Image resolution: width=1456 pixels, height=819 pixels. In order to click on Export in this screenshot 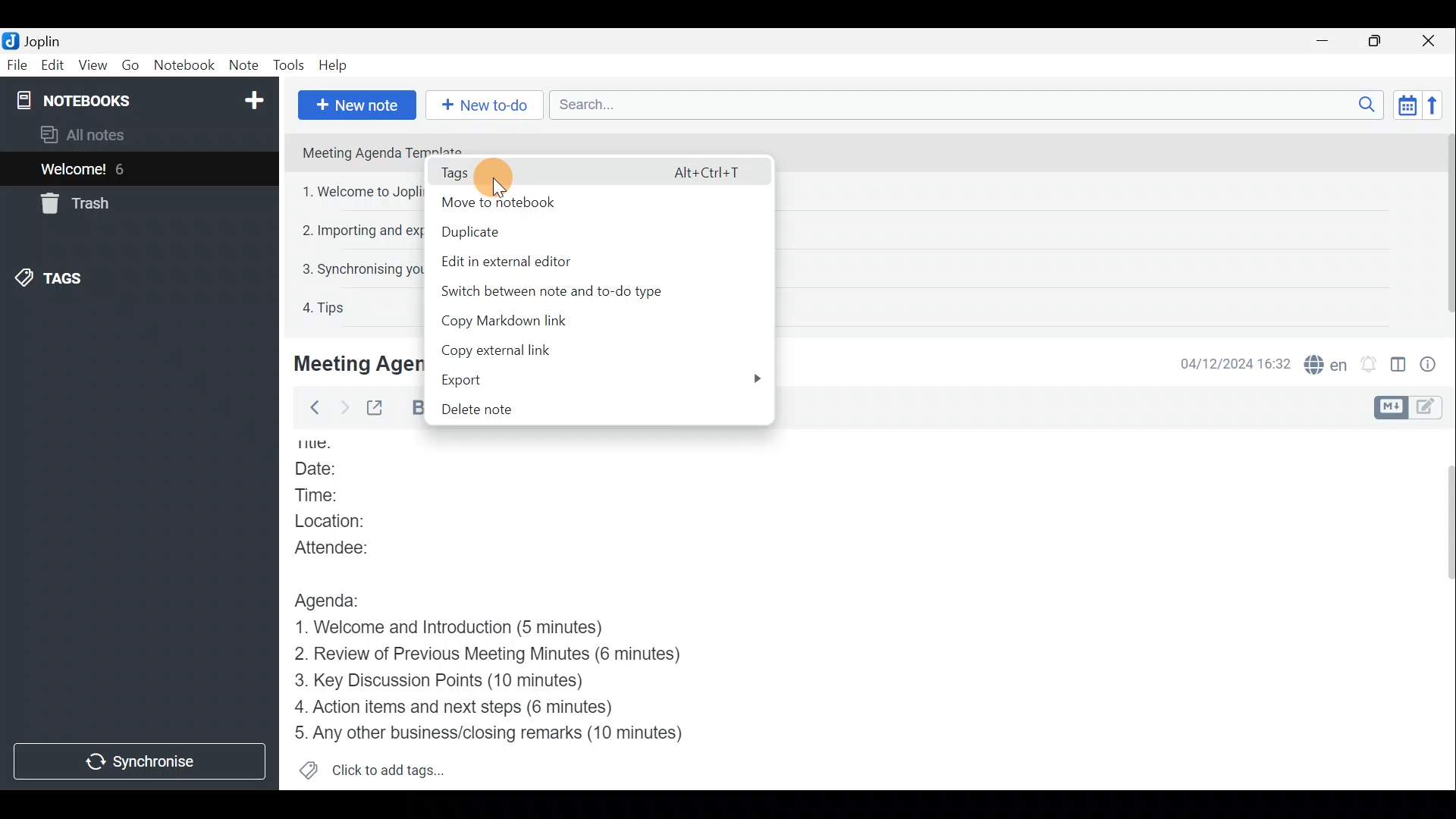, I will do `click(499, 378)`.